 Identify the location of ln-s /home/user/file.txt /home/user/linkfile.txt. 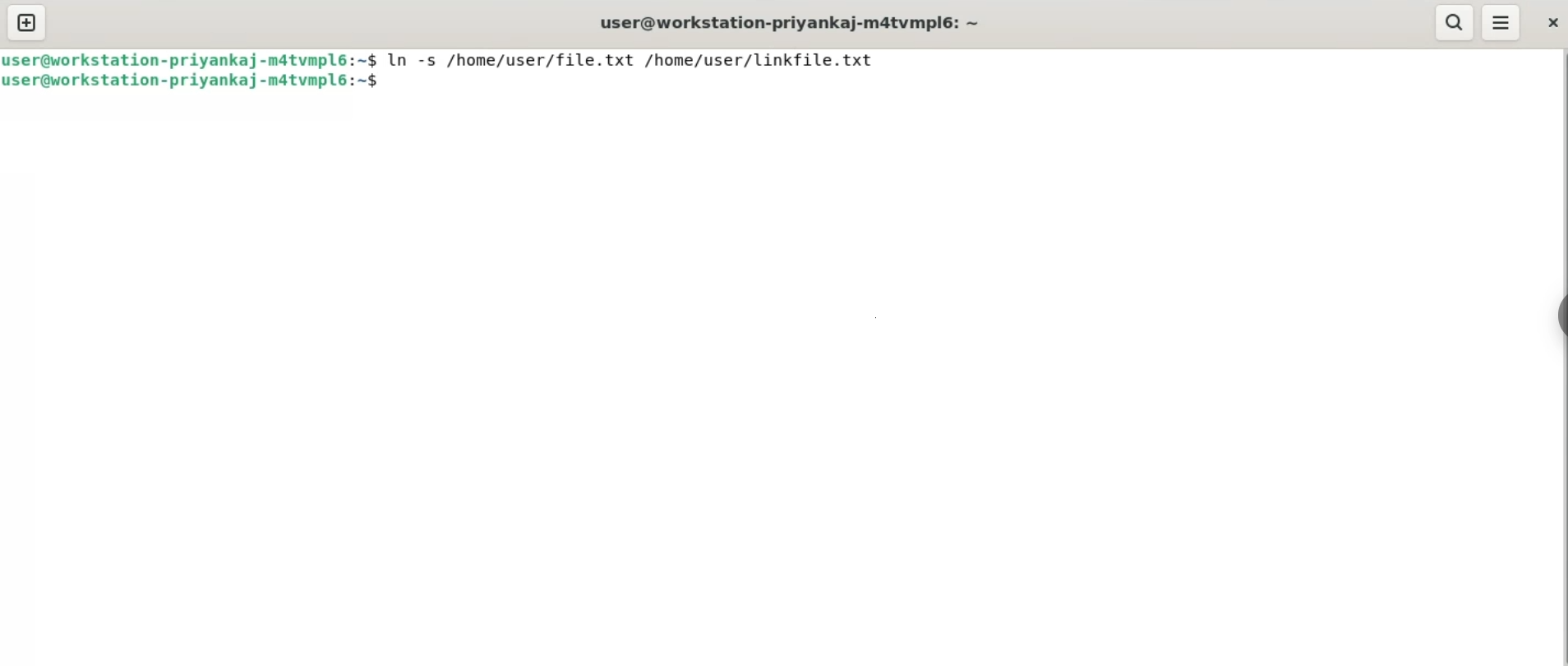
(639, 61).